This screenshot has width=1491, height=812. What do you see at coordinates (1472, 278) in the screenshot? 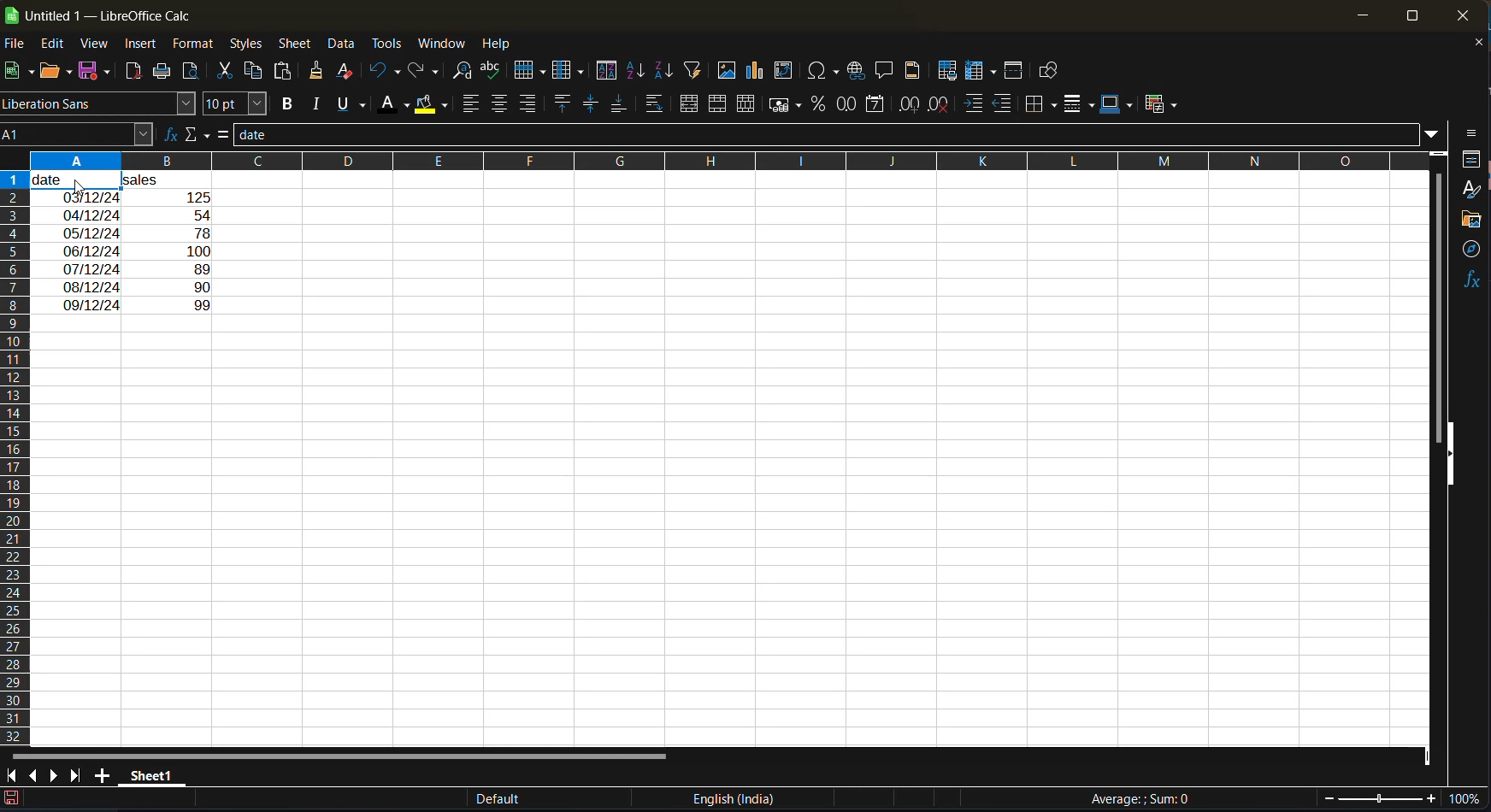
I see `functions` at bounding box center [1472, 278].